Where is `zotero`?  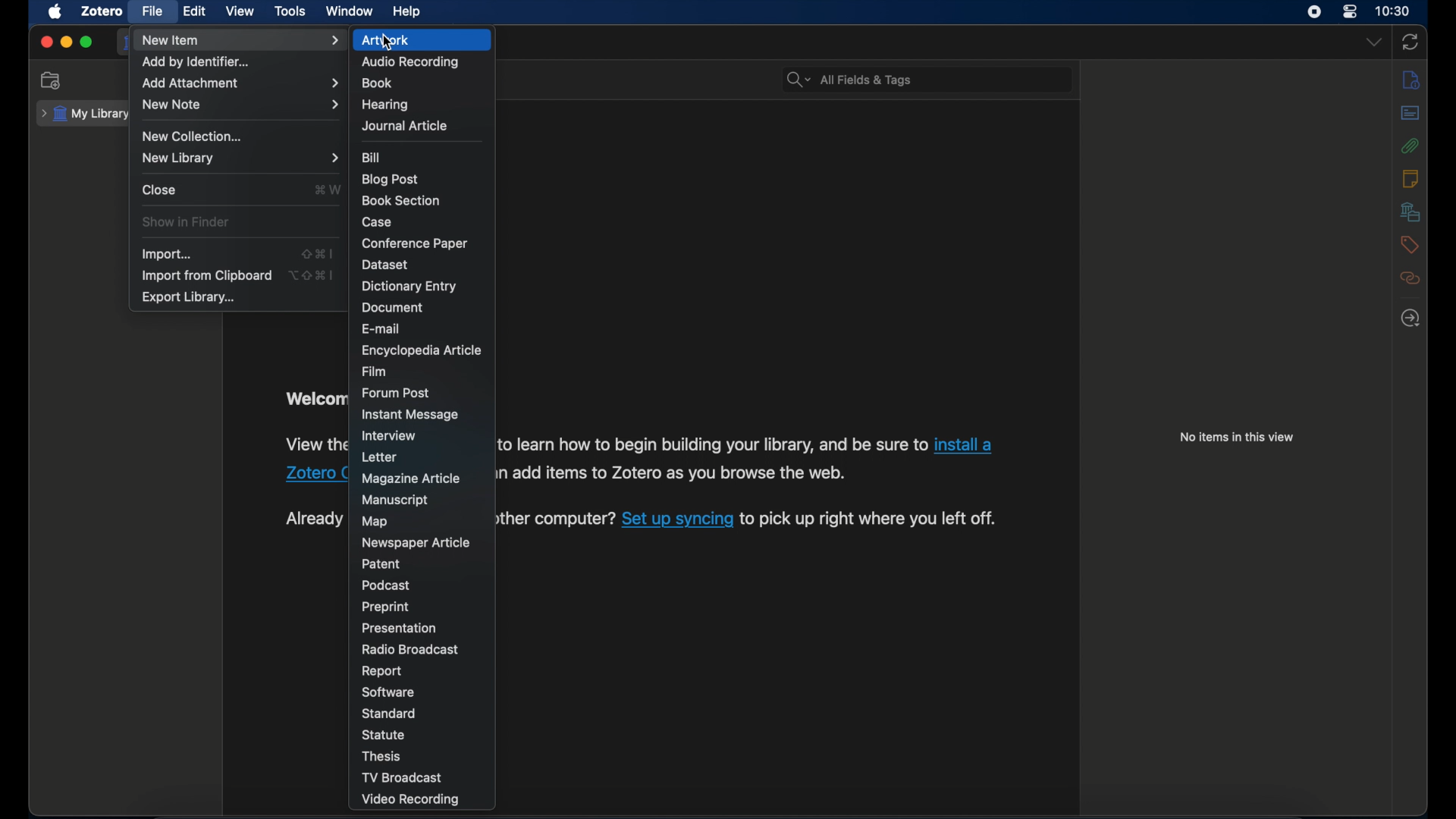 zotero is located at coordinates (311, 474).